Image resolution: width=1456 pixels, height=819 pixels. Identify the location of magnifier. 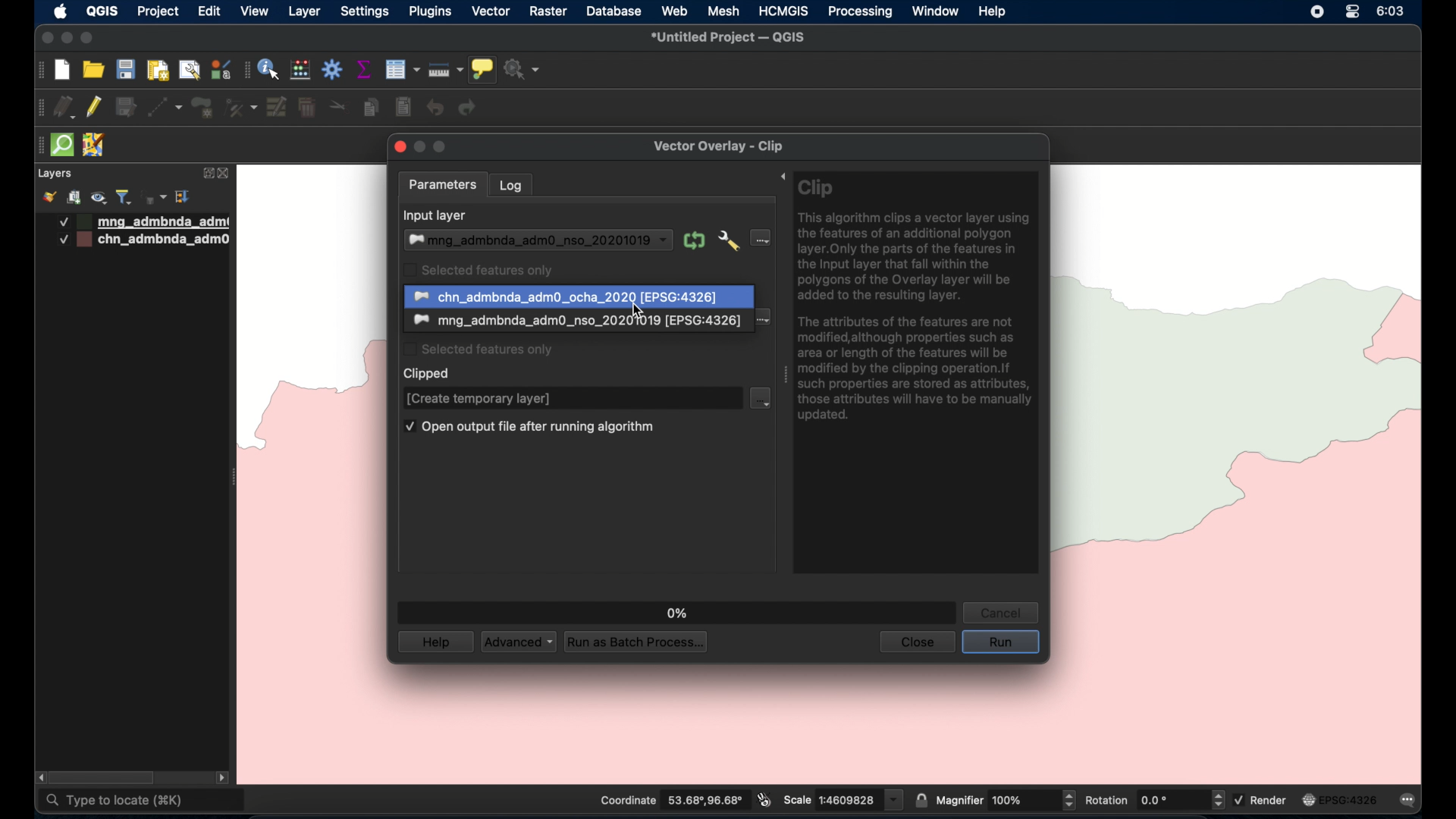
(1006, 799).